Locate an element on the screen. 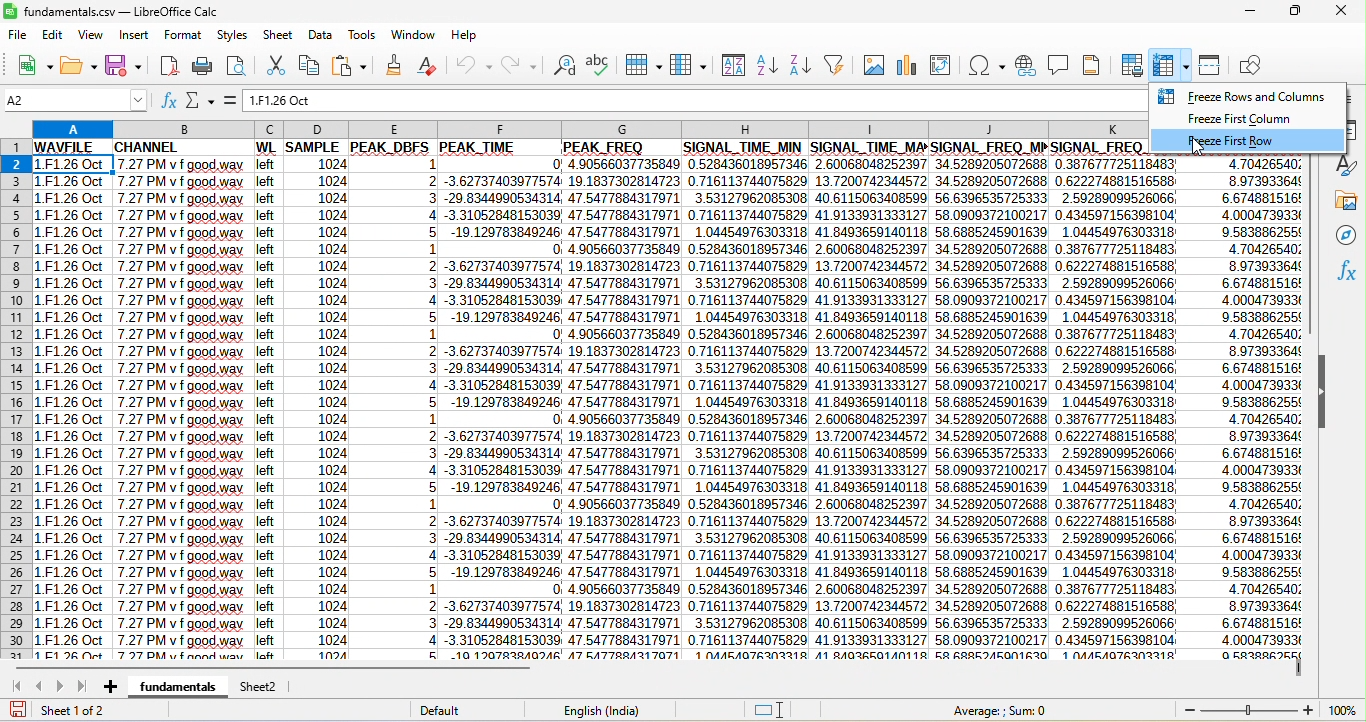 This screenshot has width=1366, height=722. data is located at coordinates (321, 37).